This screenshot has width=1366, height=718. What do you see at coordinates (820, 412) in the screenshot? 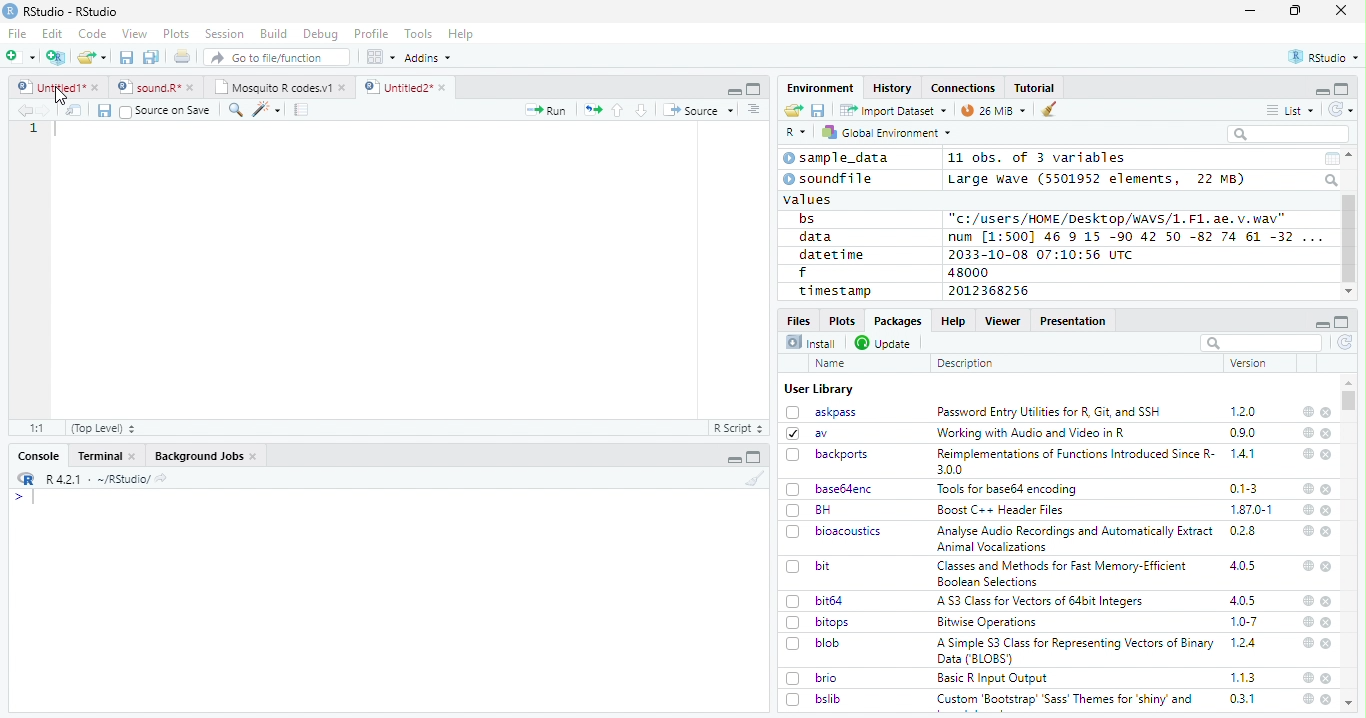
I see `askpass` at bounding box center [820, 412].